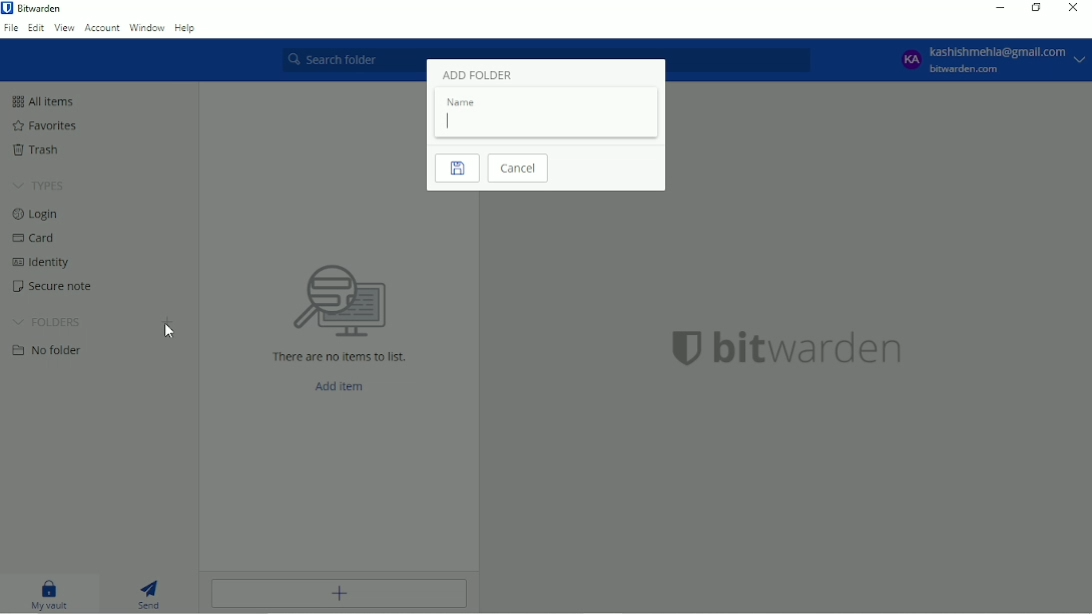 This screenshot has height=614, width=1092. I want to click on Save, so click(456, 169).